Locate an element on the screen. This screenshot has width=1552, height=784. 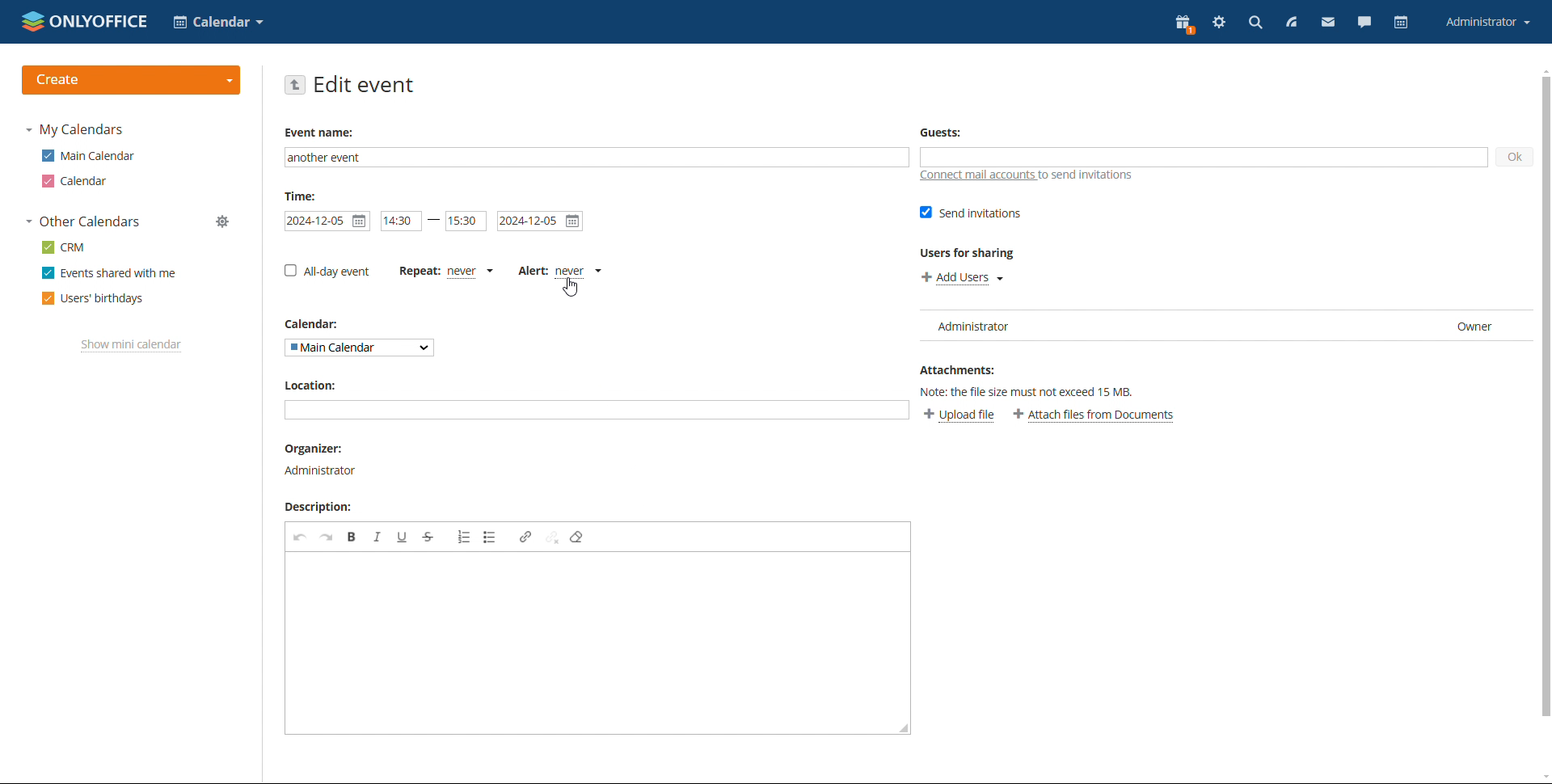
organizer is located at coordinates (320, 449).